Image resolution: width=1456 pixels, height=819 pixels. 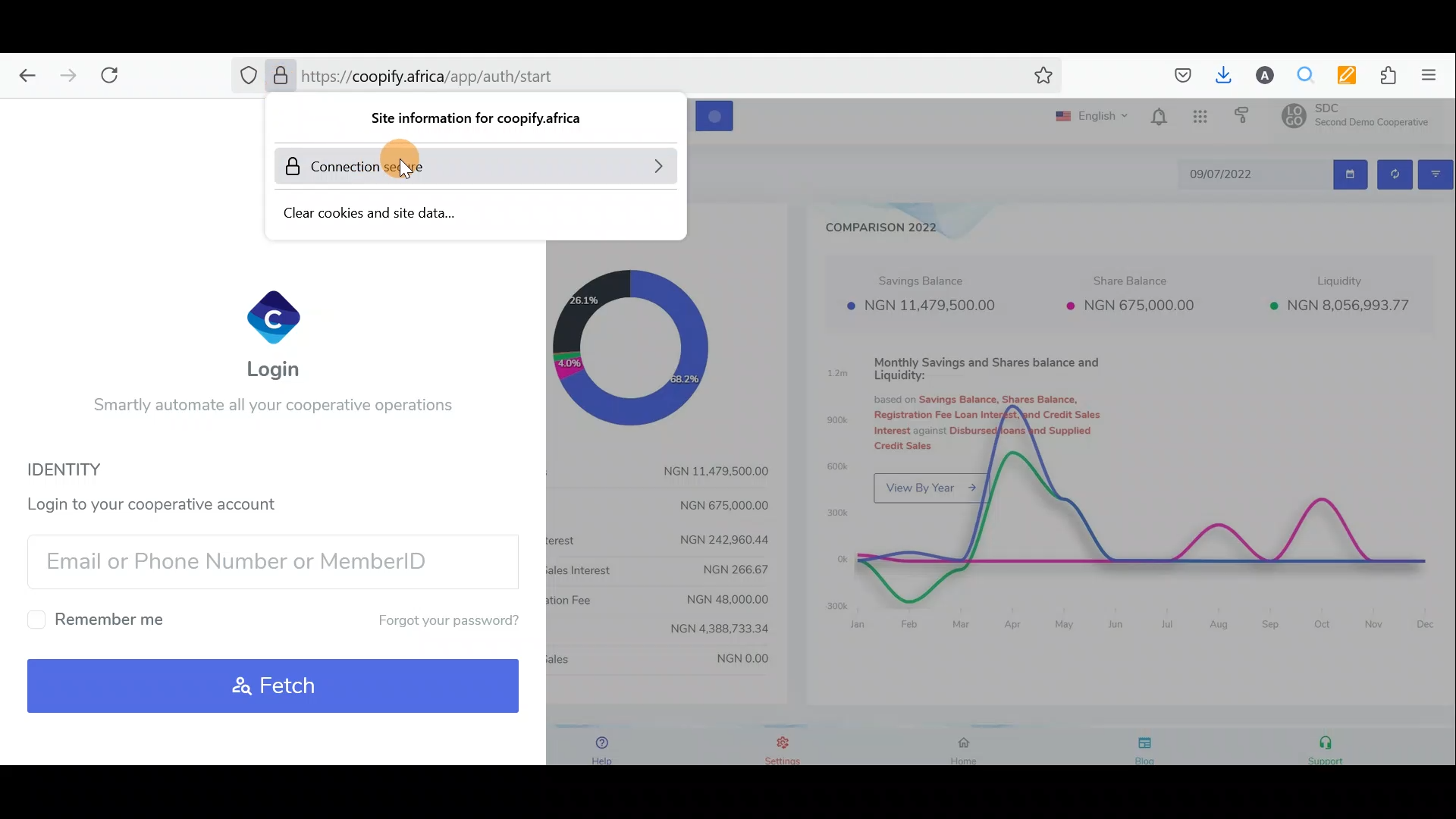 What do you see at coordinates (1300, 76) in the screenshot?
I see `Multiple search & highlight` at bounding box center [1300, 76].